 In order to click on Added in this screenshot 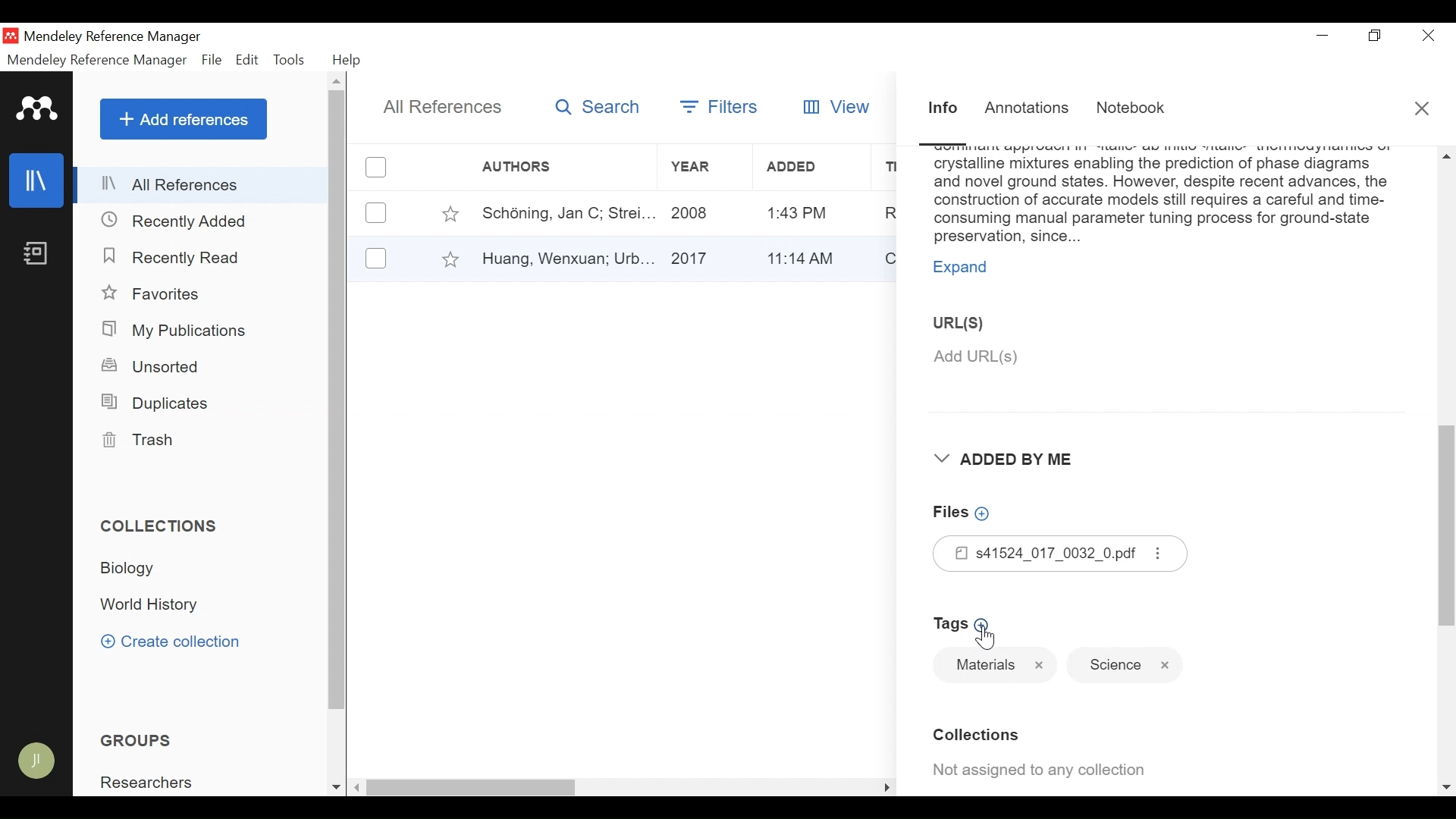, I will do `click(807, 256)`.